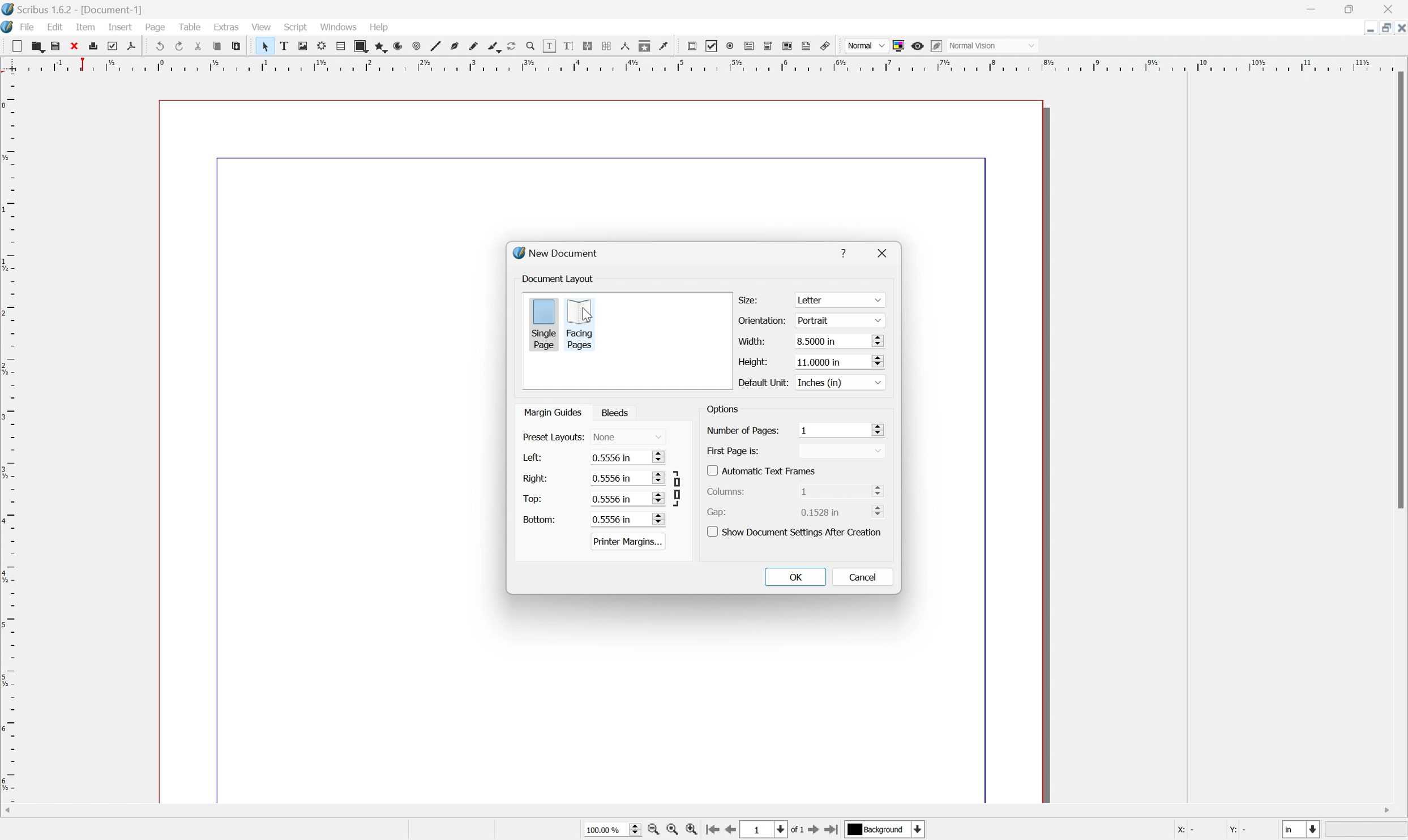 The width and height of the screenshot is (1408, 840). Describe the element at coordinates (536, 477) in the screenshot. I see `right:` at that location.